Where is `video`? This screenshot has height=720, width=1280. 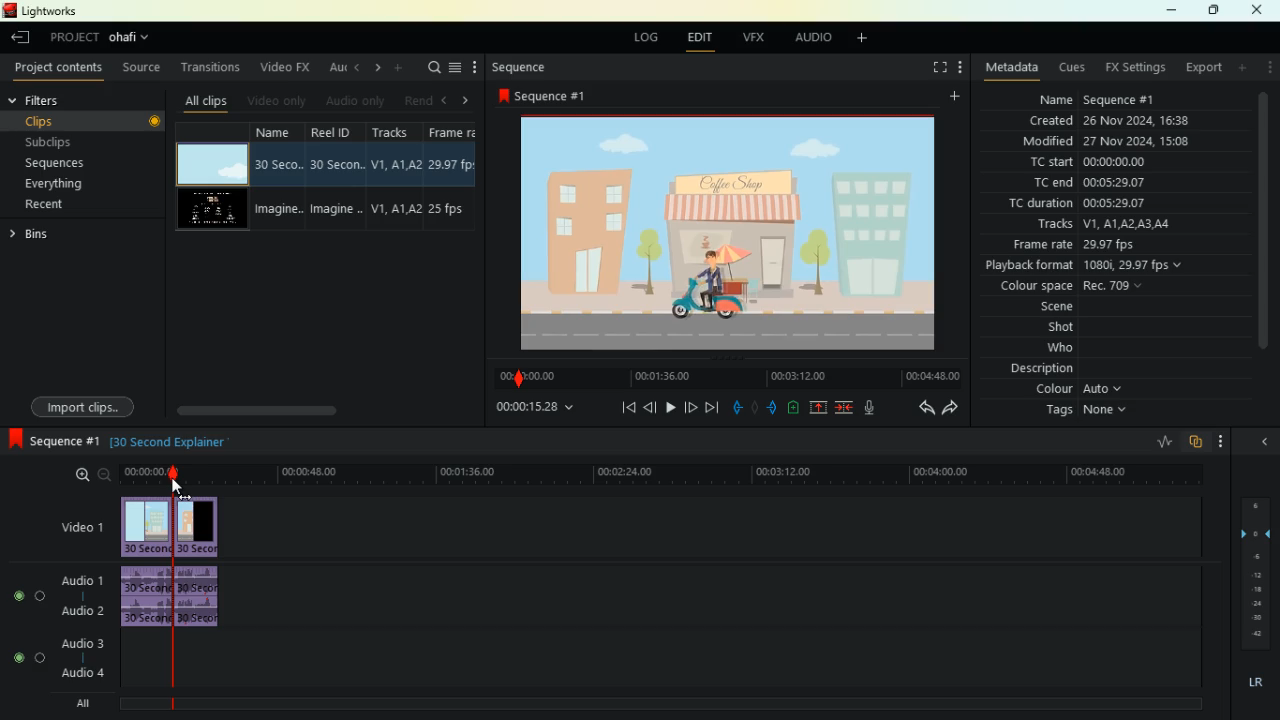
video is located at coordinates (213, 162).